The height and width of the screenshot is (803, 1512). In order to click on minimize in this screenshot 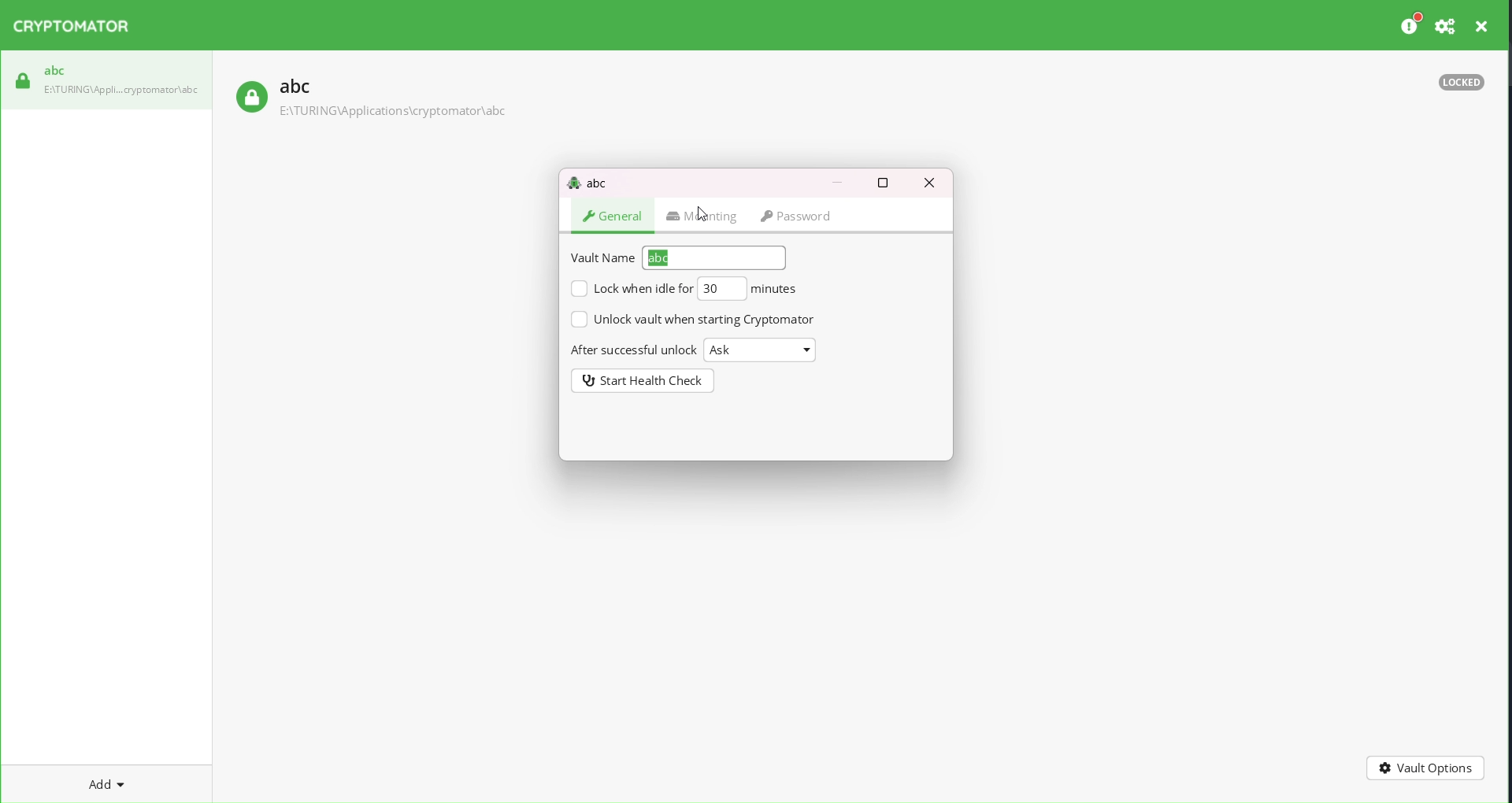, I will do `click(836, 182)`.